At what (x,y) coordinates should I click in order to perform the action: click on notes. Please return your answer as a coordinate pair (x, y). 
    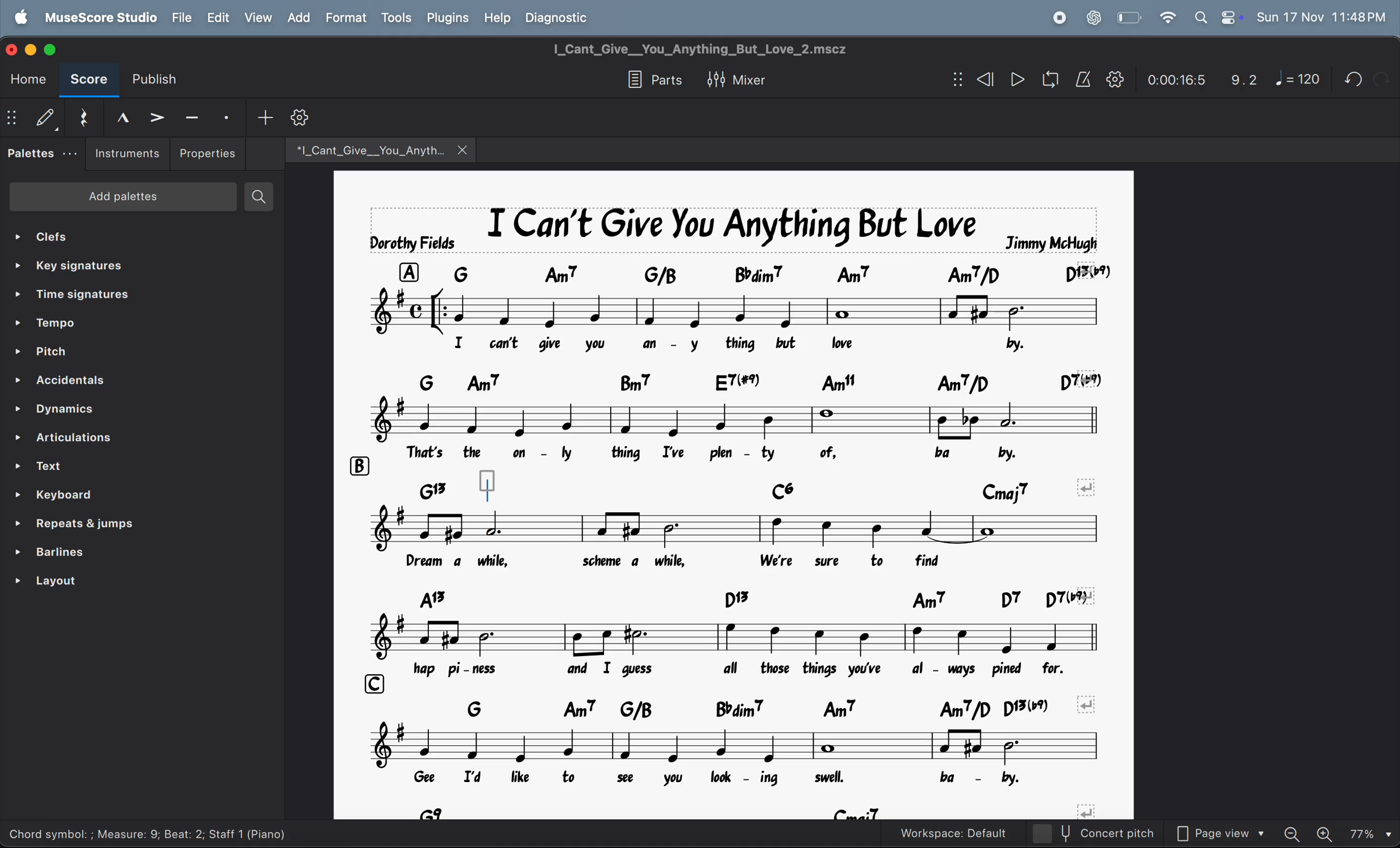
    Looking at the image, I should click on (735, 638).